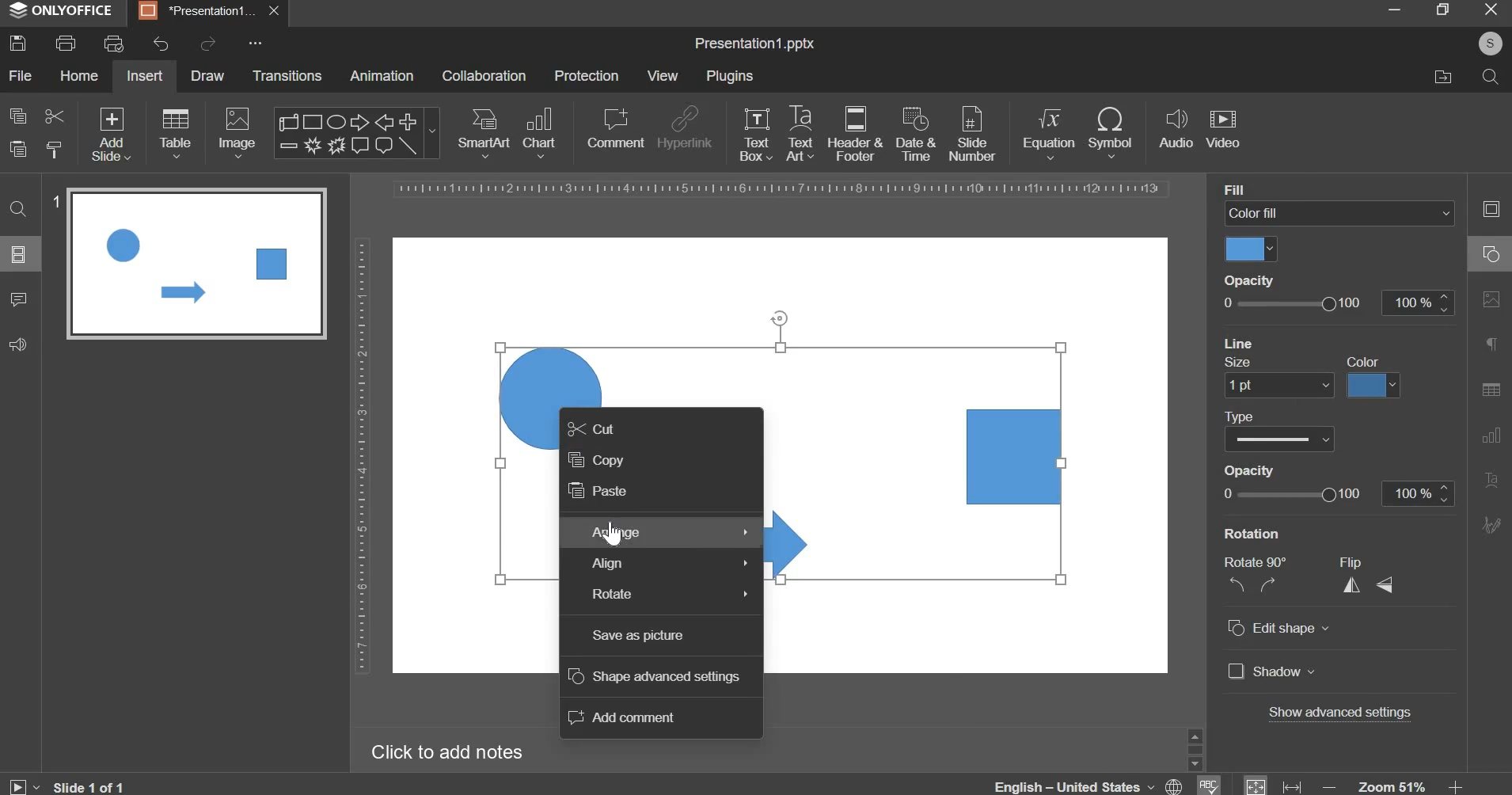 This screenshot has height=795, width=1512. Describe the element at coordinates (1207, 784) in the screenshot. I see `language` at that location.